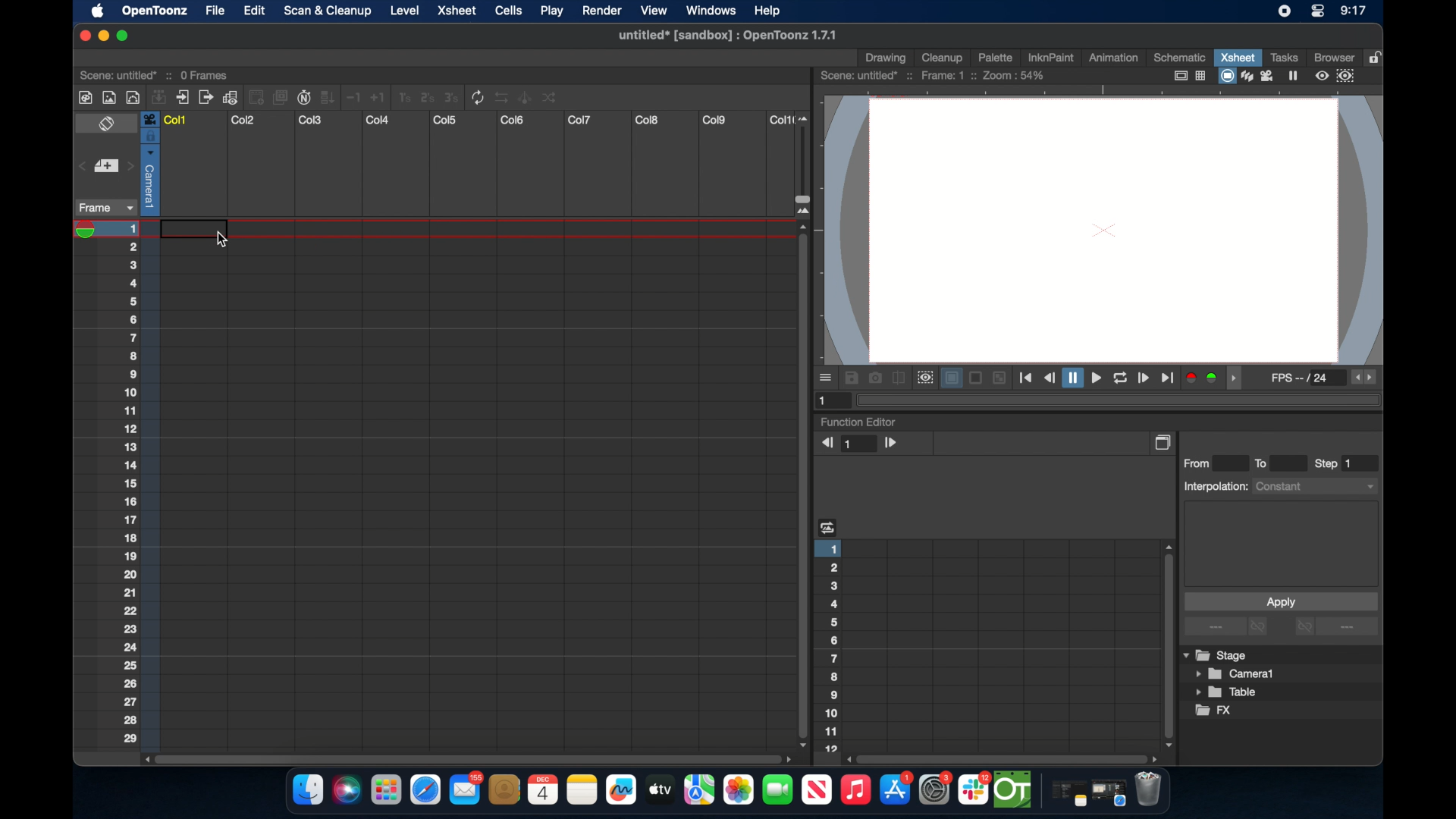 The height and width of the screenshot is (819, 1456). Describe the element at coordinates (466, 788) in the screenshot. I see `mail` at that location.